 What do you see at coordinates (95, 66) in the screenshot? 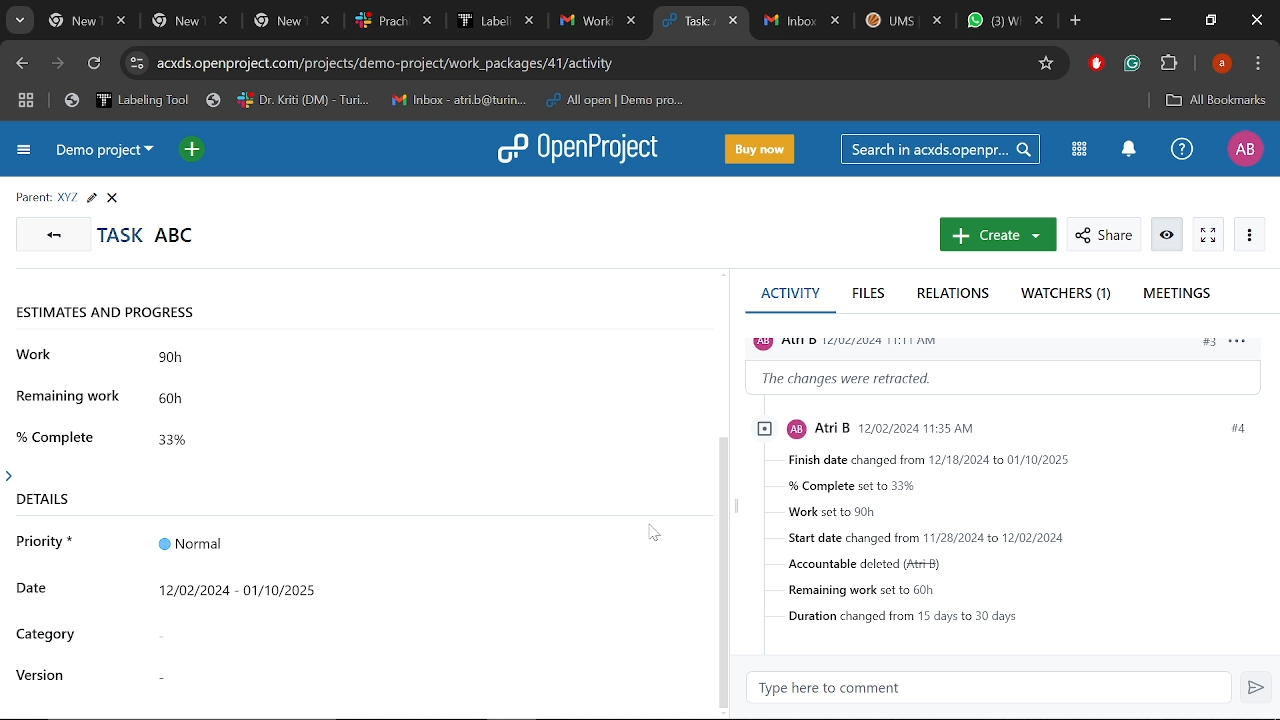
I see `Refresh` at bounding box center [95, 66].